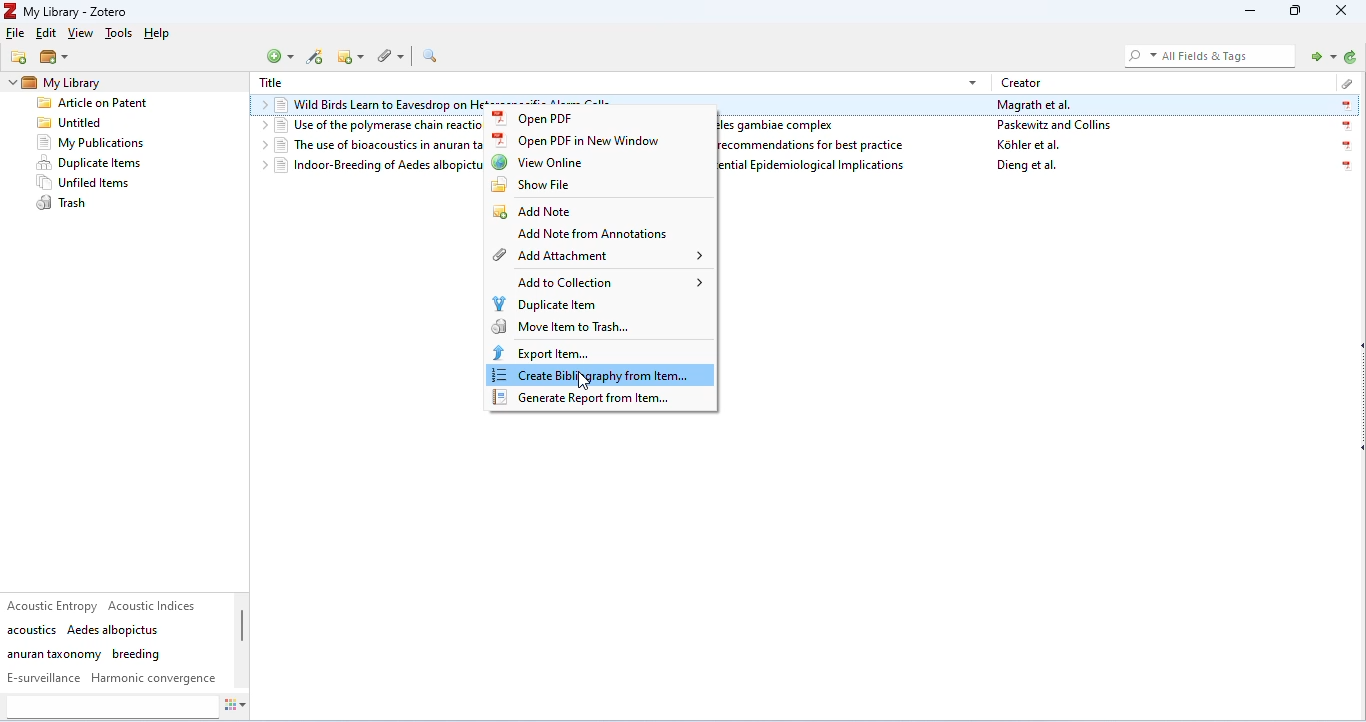  What do you see at coordinates (560, 327) in the screenshot?
I see `move item to trash` at bounding box center [560, 327].